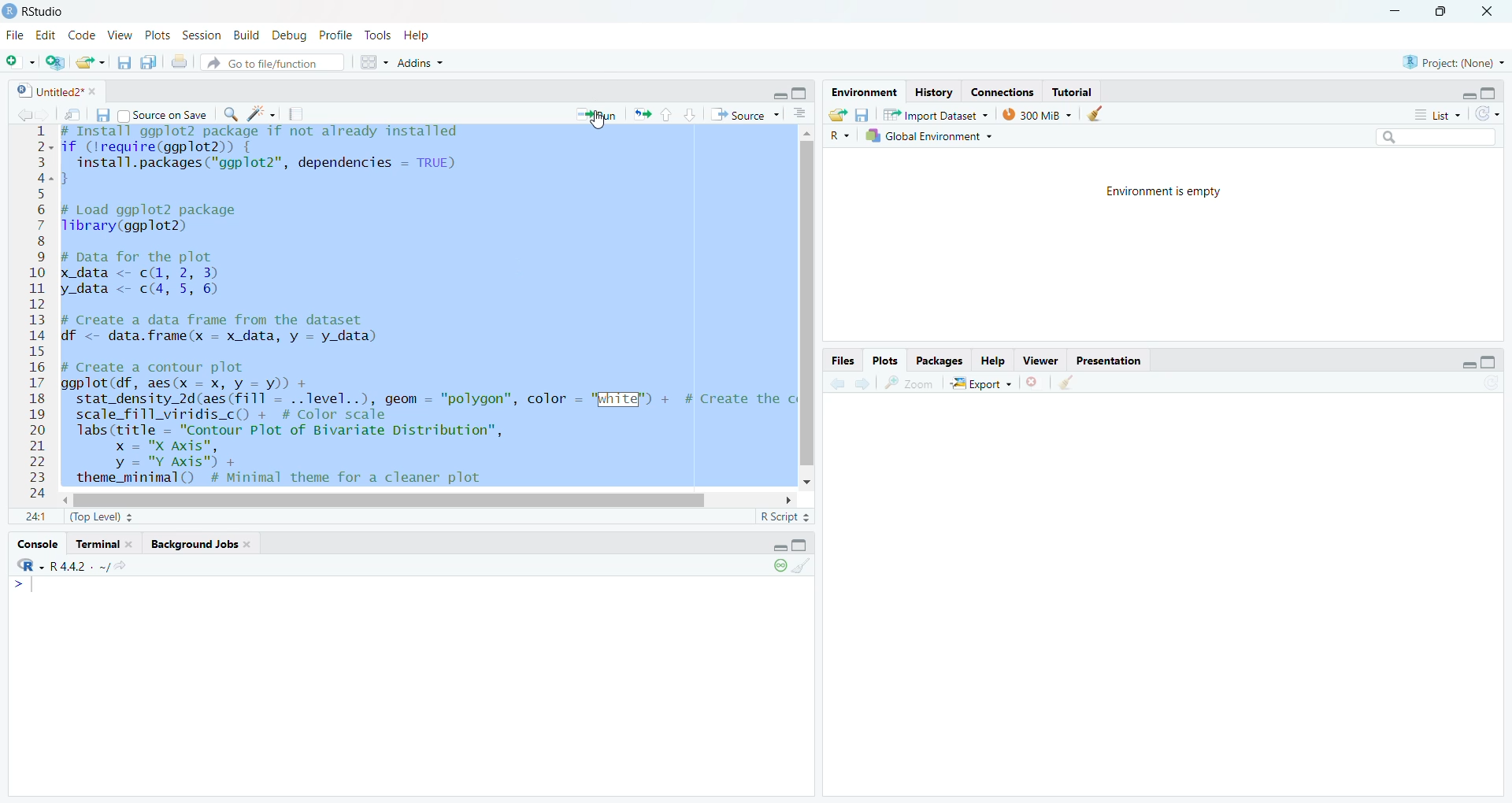 This screenshot has height=803, width=1512. Describe the element at coordinates (937, 115) in the screenshot. I see ` Import Dataset ` at that location.